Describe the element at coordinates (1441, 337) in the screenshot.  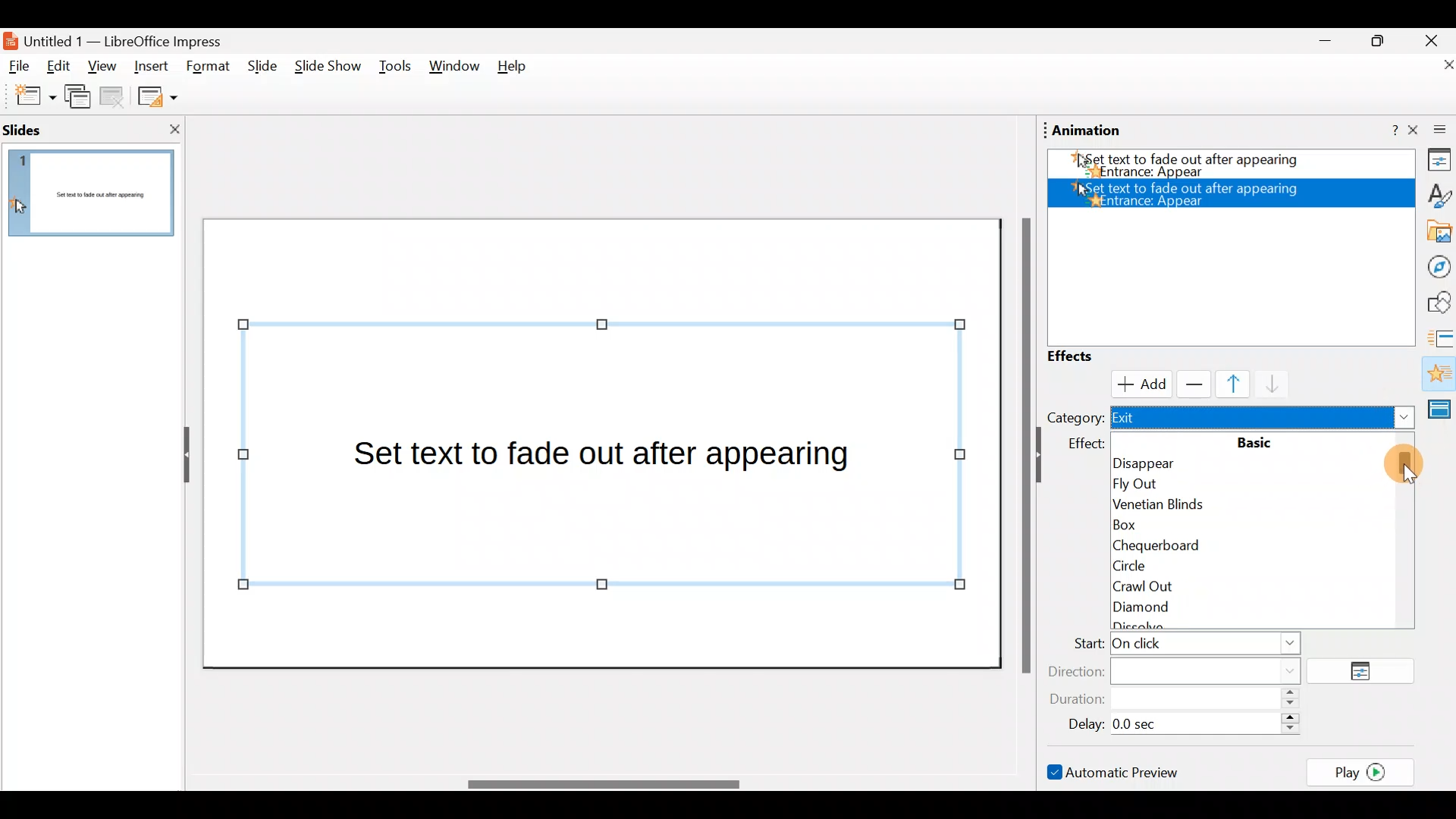
I see `Slides transition` at that location.